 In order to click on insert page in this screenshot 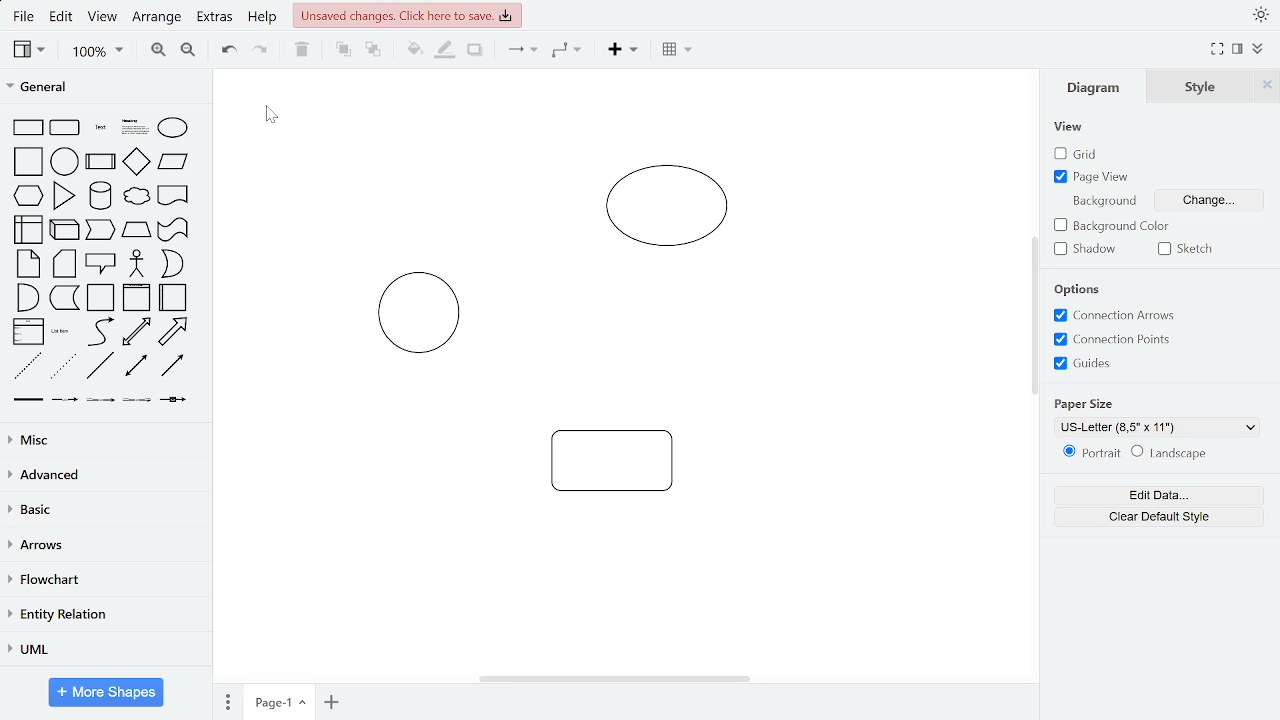, I will do `click(331, 701)`.